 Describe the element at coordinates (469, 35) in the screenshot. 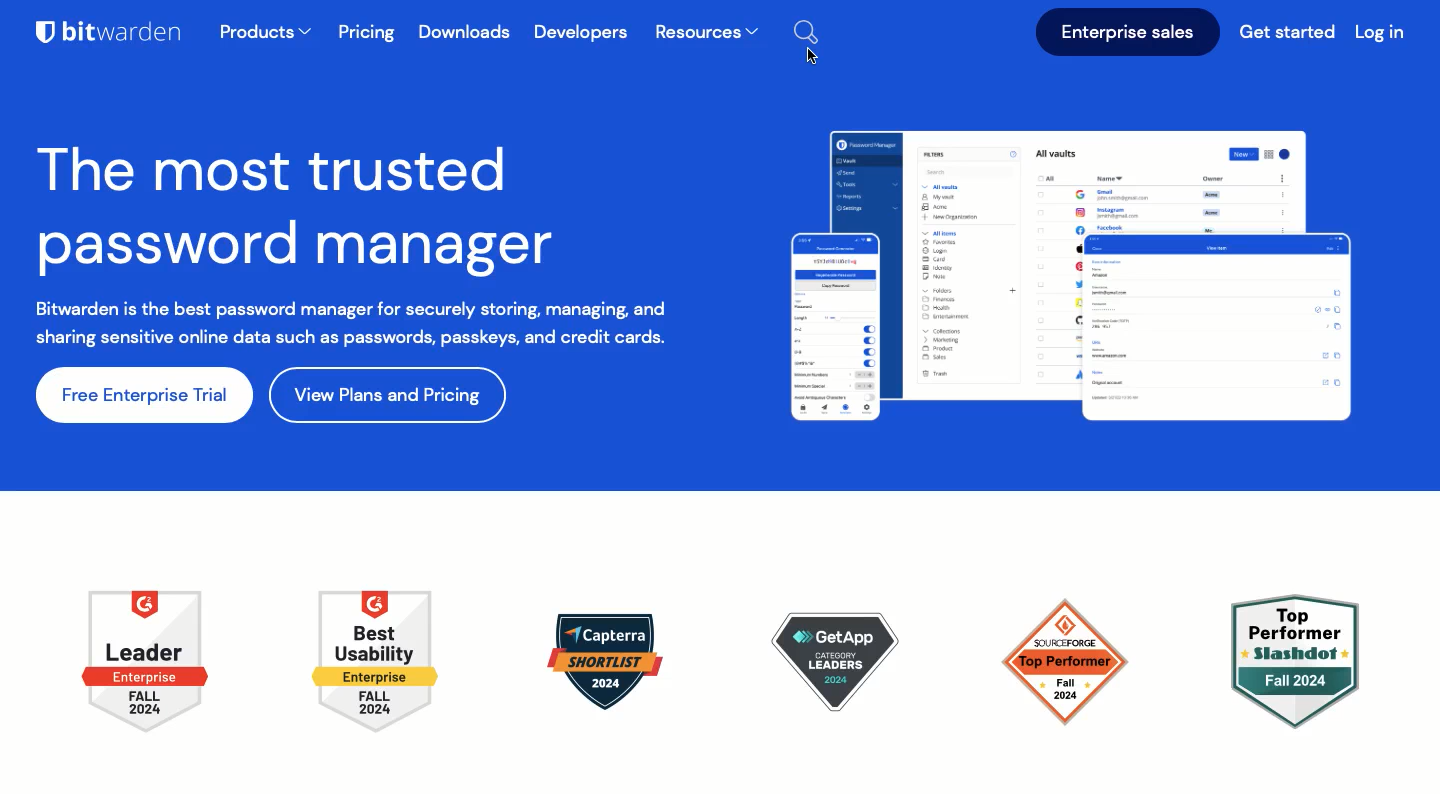

I see `Downloads` at that location.